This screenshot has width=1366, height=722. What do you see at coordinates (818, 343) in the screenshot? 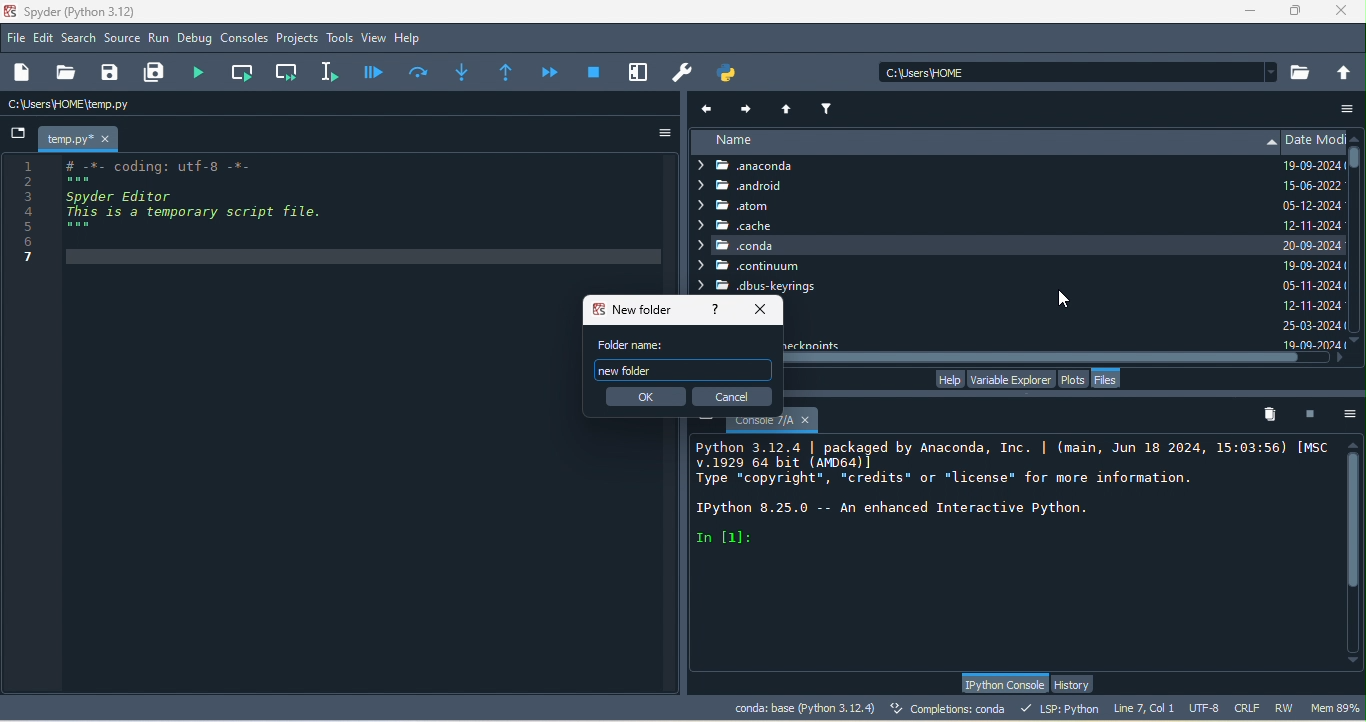
I see `checkpoints` at bounding box center [818, 343].